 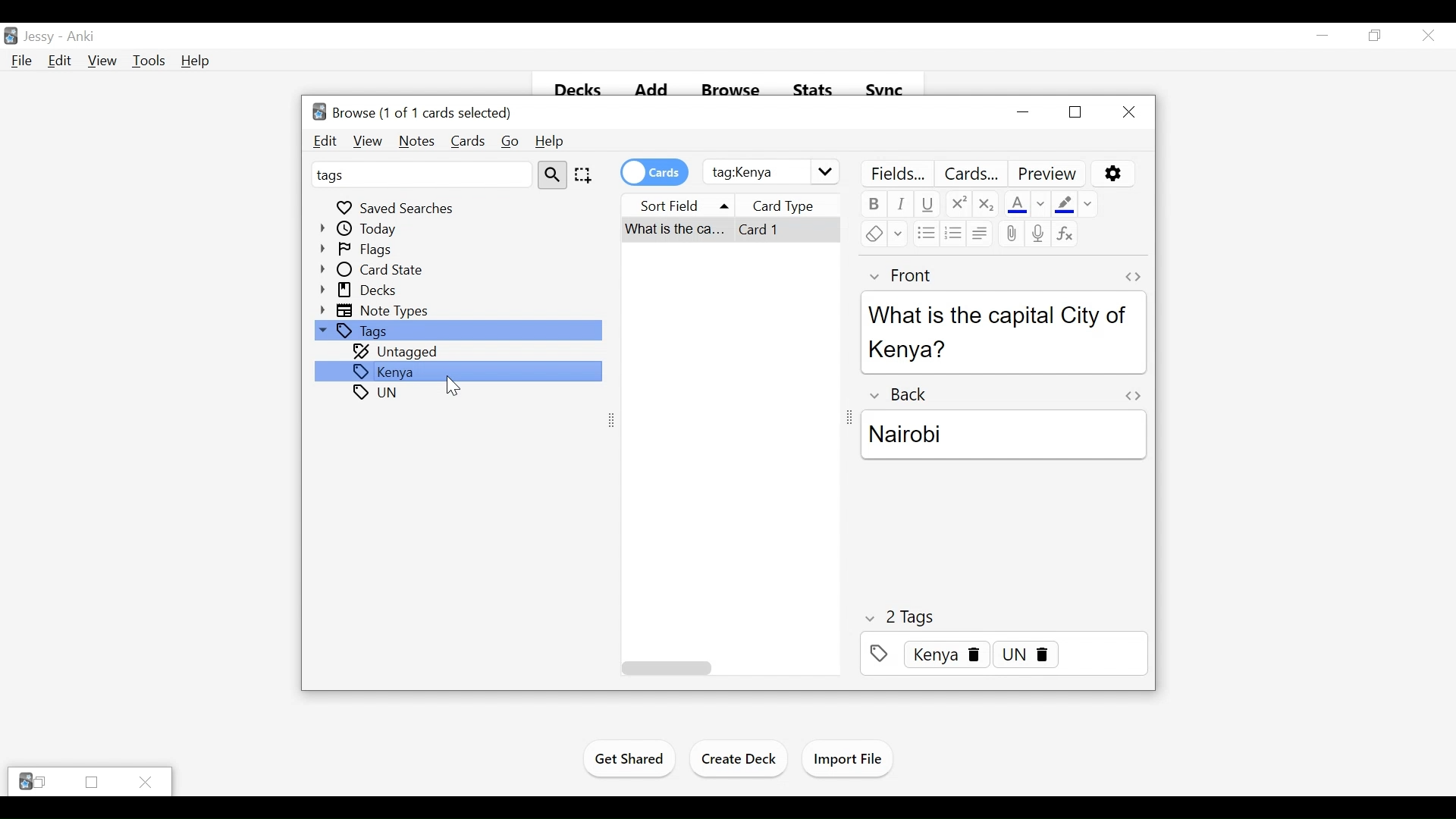 I want to click on Notes, so click(x=416, y=142).